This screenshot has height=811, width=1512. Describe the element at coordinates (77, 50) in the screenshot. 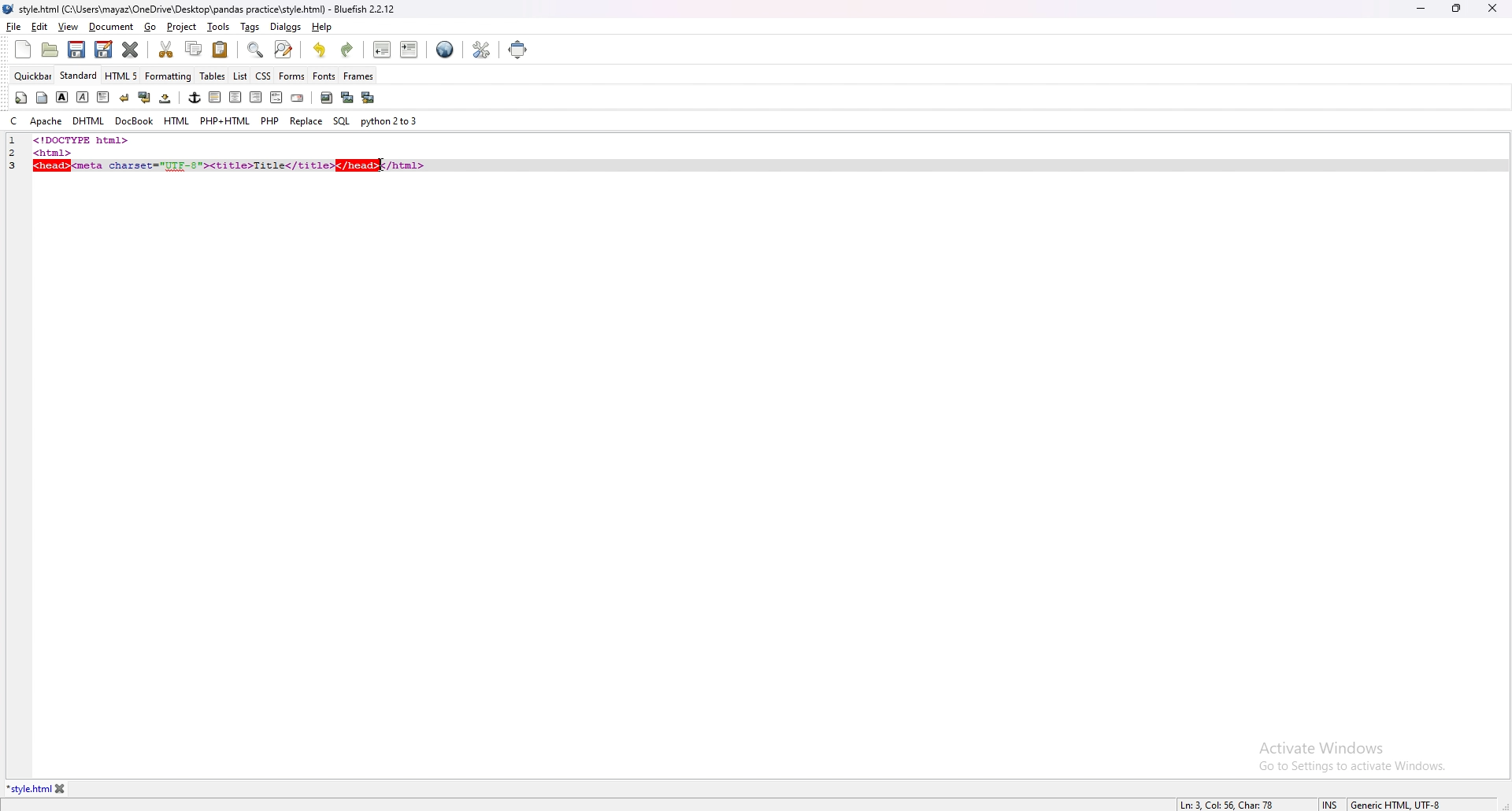

I see `save` at that location.